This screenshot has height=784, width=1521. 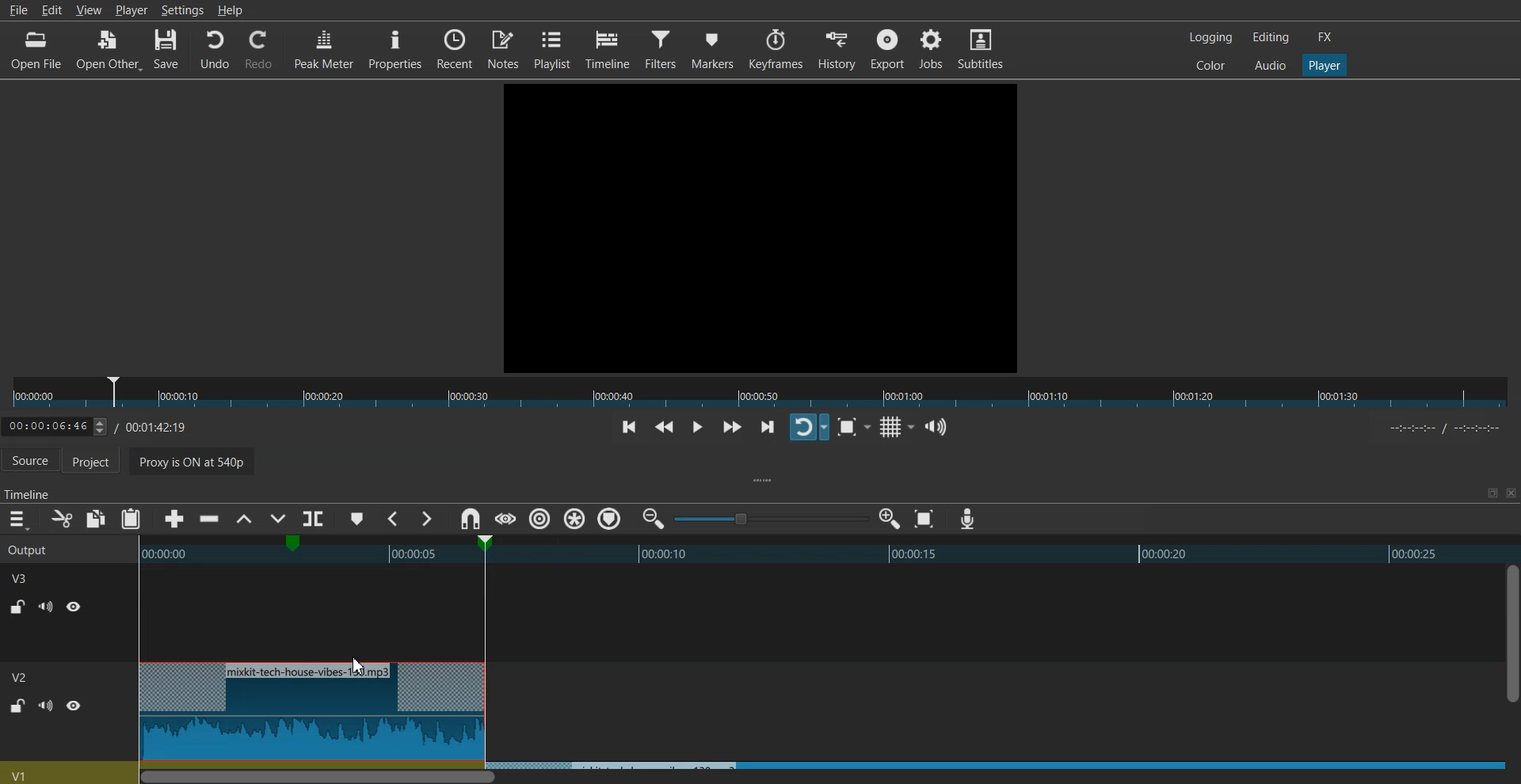 What do you see at coordinates (167, 50) in the screenshot?
I see `Save` at bounding box center [167, 50].